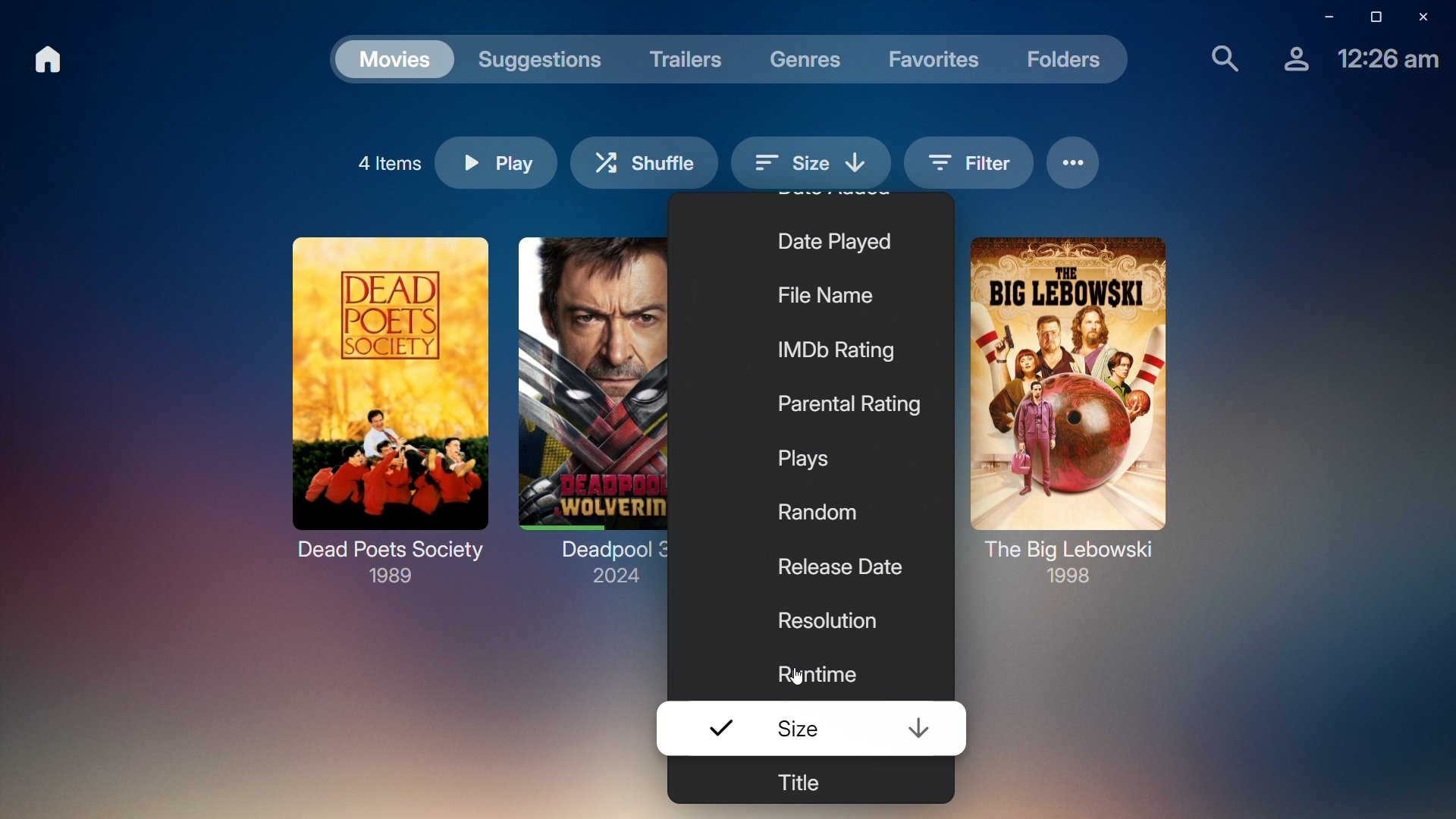 The height and width of the screenshot is (819, 1456). I want to click on Genres, so click(806, 58).